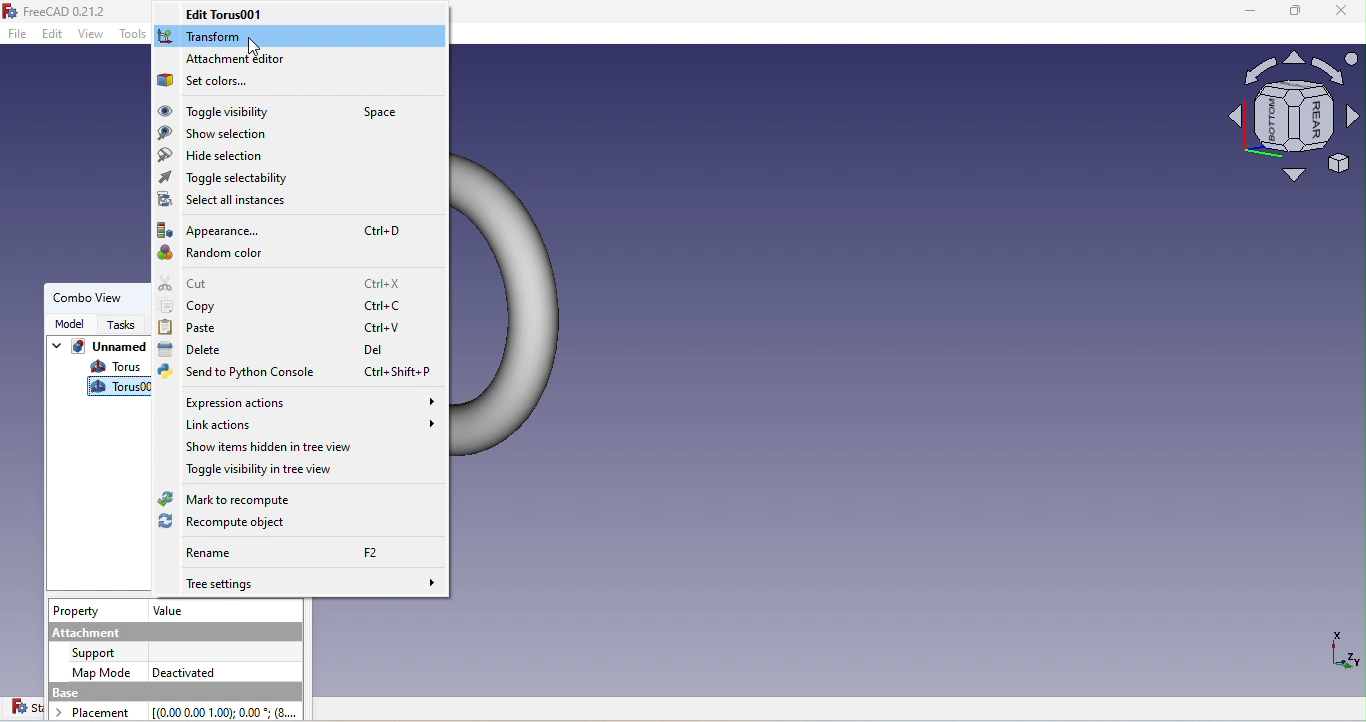  What do you see at coordinates (219, 133) in the screenshot?
I see `Show selection` at bounding box center [219, 133].